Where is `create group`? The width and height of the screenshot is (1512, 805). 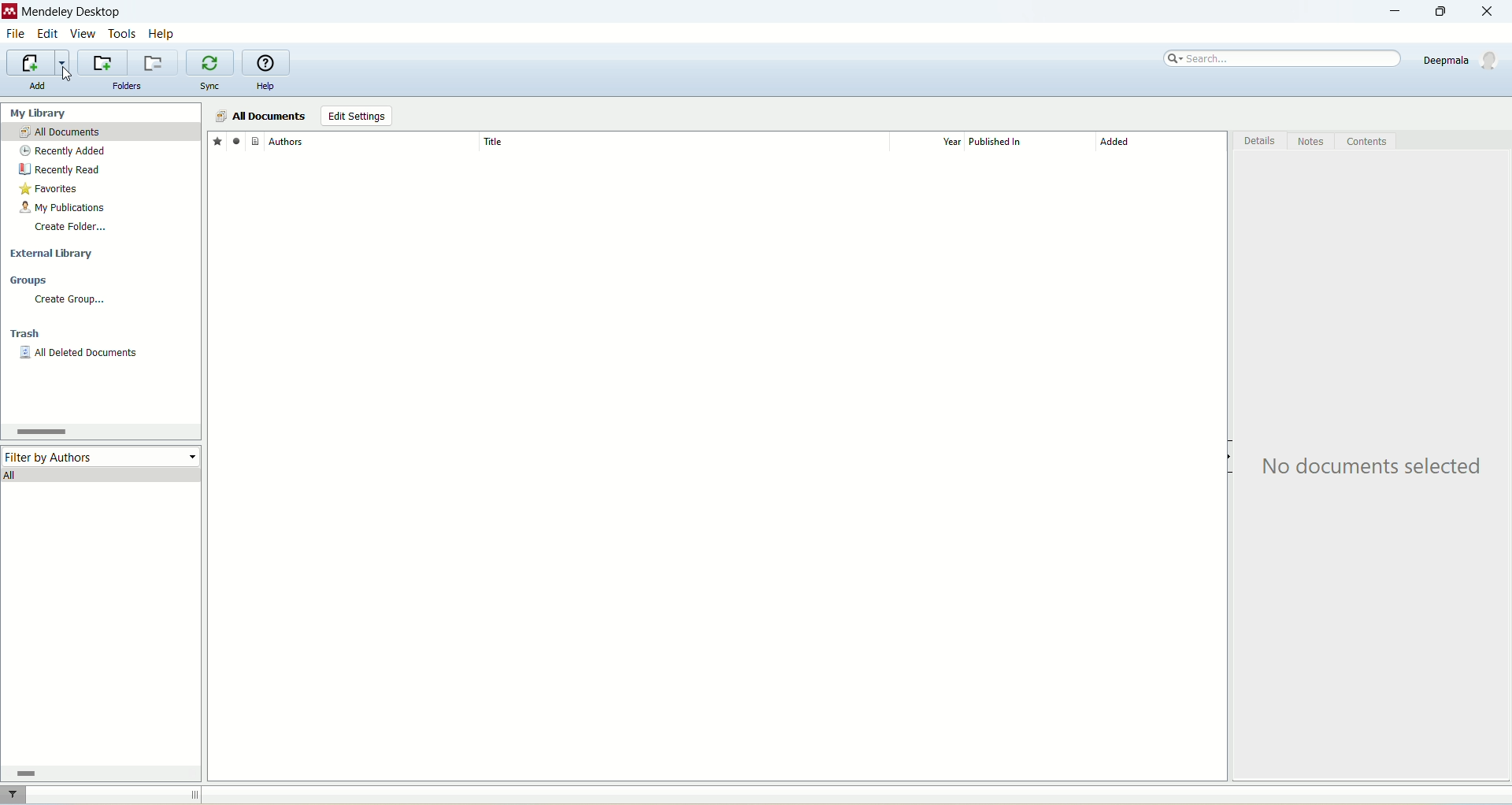
create group is located at coordinates (69, 299).